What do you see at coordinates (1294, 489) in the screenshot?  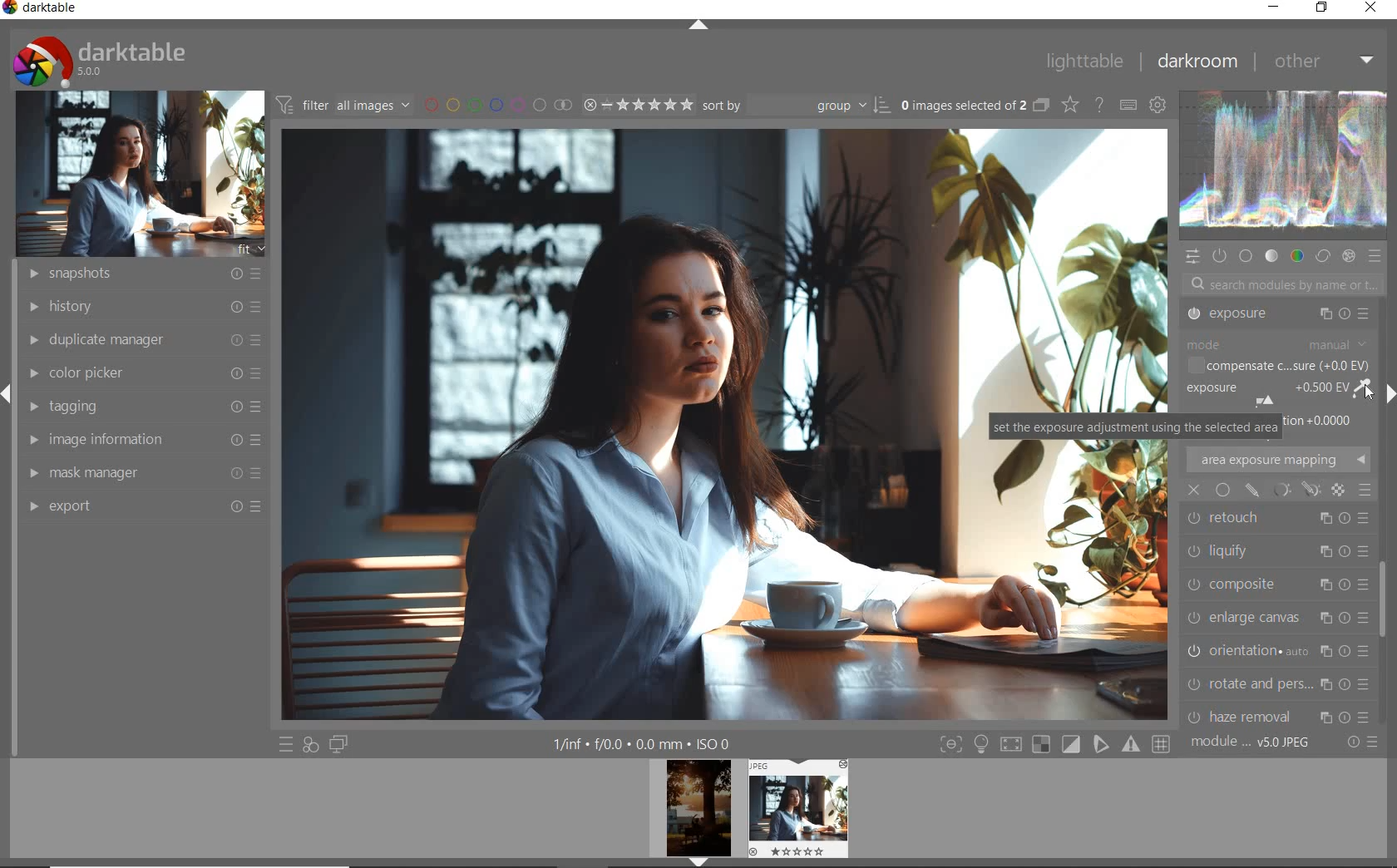 I see `mask options` at bounding box center [1294, 489].